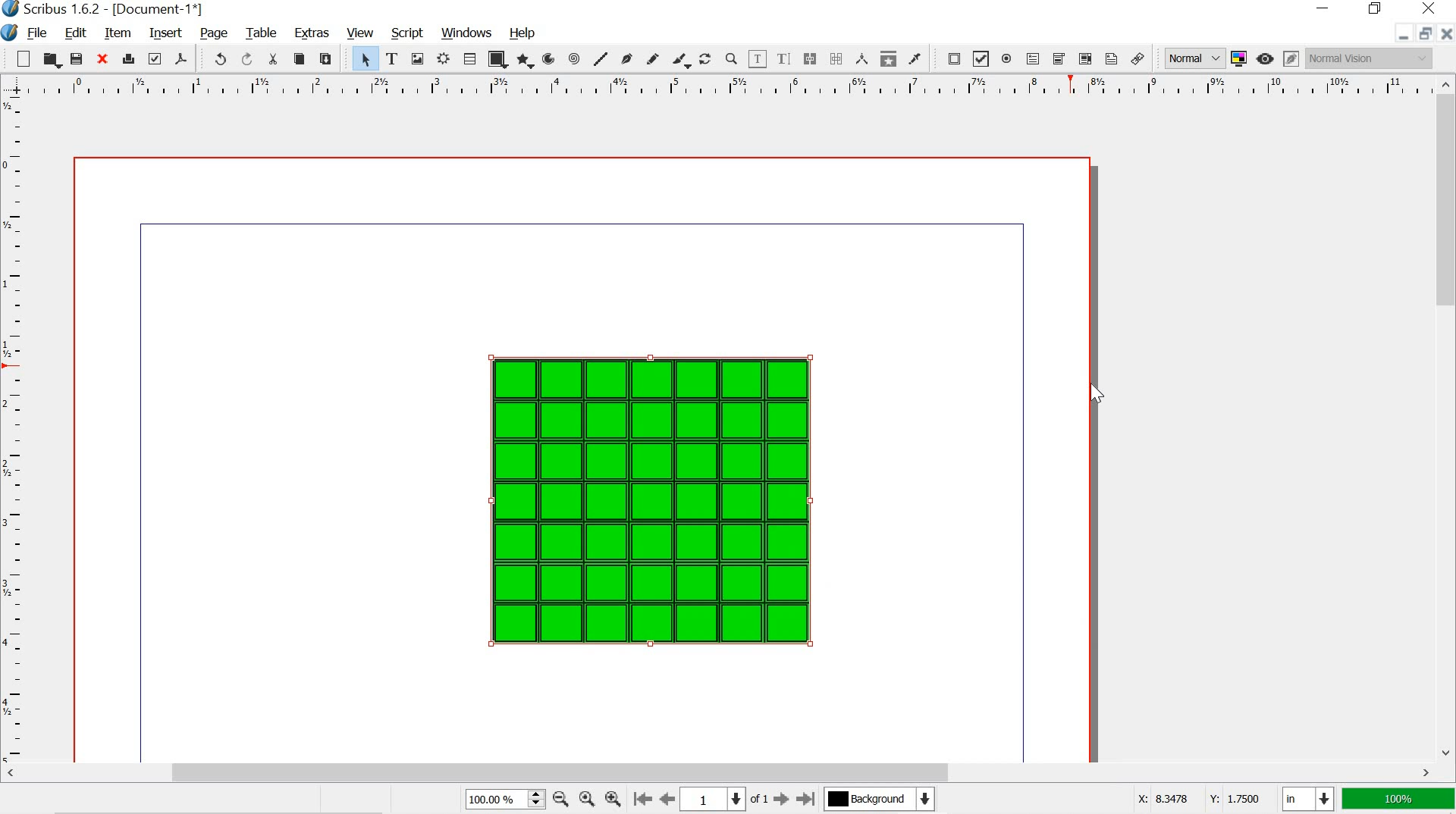  I want to click on polygon, so click(524, 58).